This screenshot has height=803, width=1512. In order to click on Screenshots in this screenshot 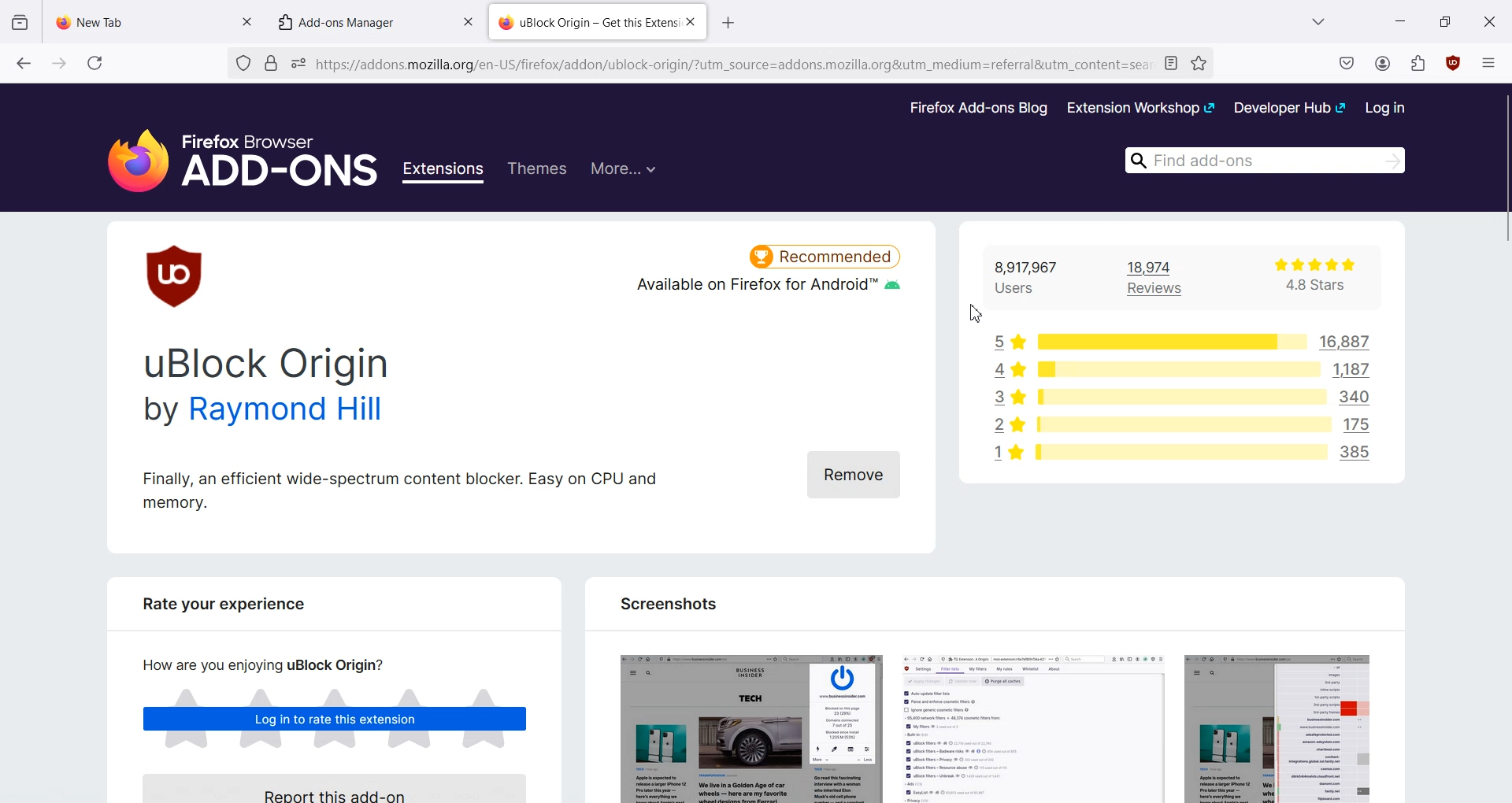, I will do `click(666, 603)`.